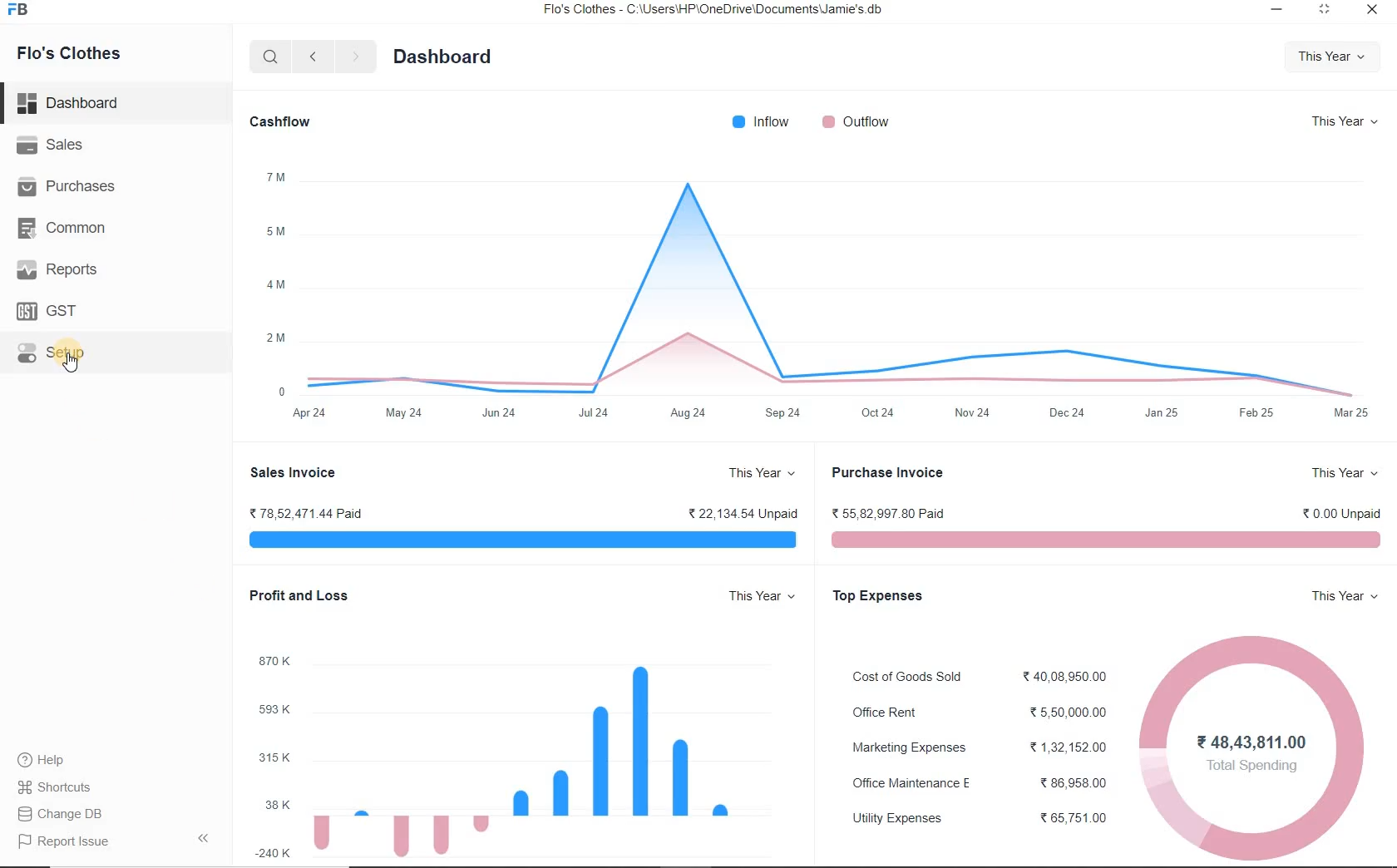 This screenshot has height=868, width=1397. Describe the element at coordinates (271, 851) in the screenshot. I see `-240 k` at that location.